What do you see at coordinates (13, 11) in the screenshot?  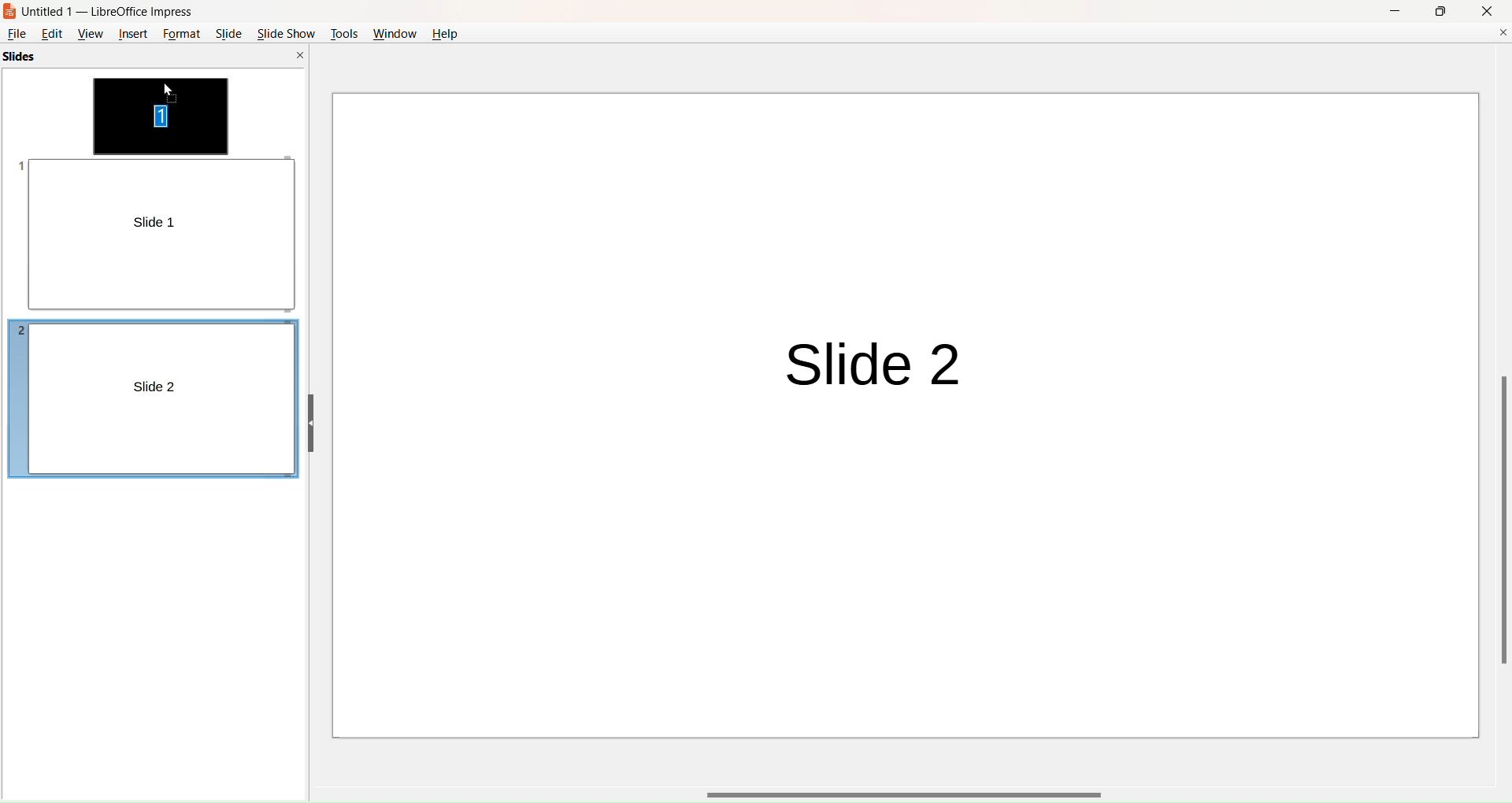 I see `logo` at bounding box center [13, 11].